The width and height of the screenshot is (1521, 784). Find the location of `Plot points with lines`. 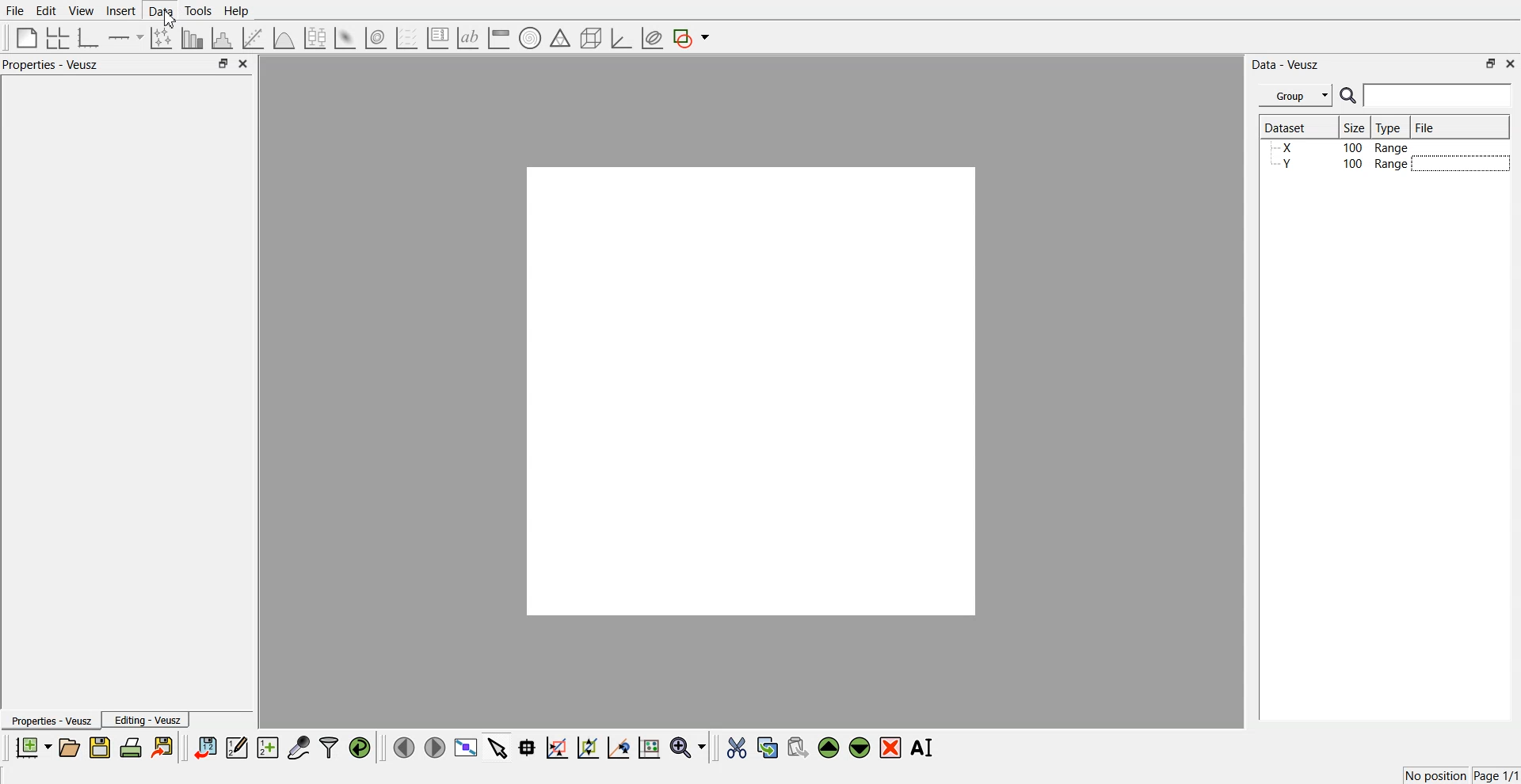

Plot points with lines is located at coordinates (162, 38).